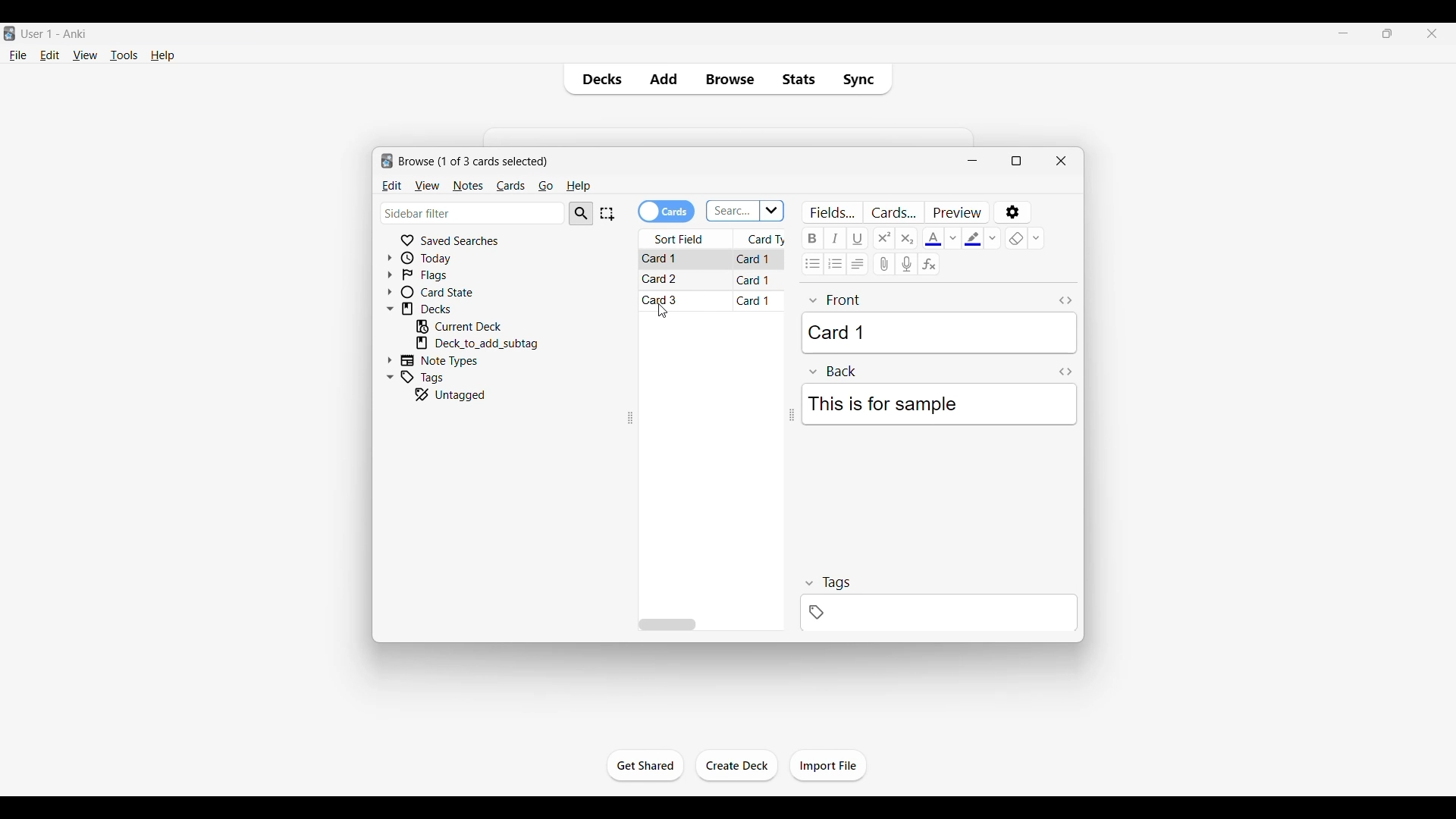  I want to click on Text highlight color options, so click(993, 238).